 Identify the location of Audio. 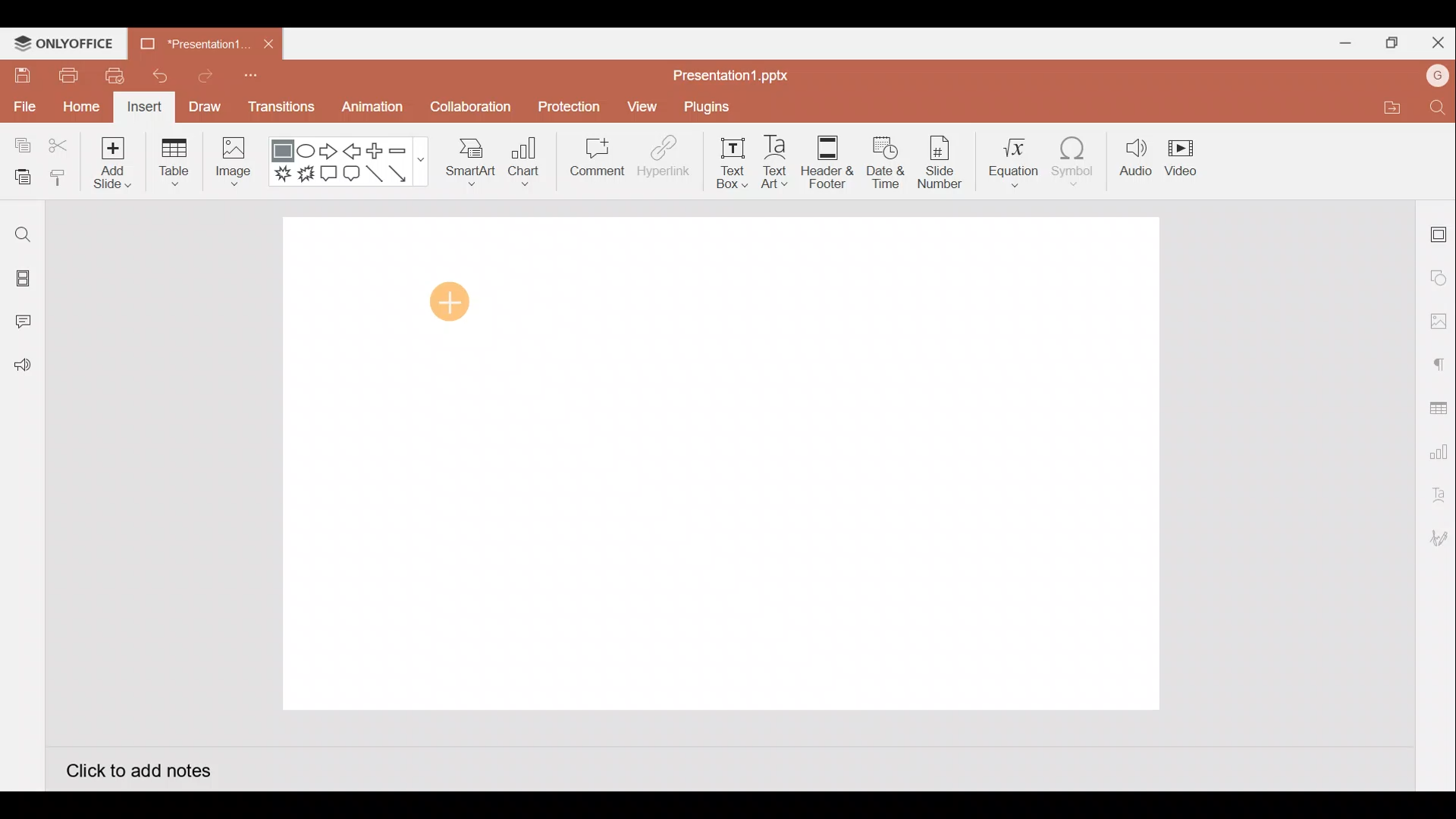
(1136, 158).